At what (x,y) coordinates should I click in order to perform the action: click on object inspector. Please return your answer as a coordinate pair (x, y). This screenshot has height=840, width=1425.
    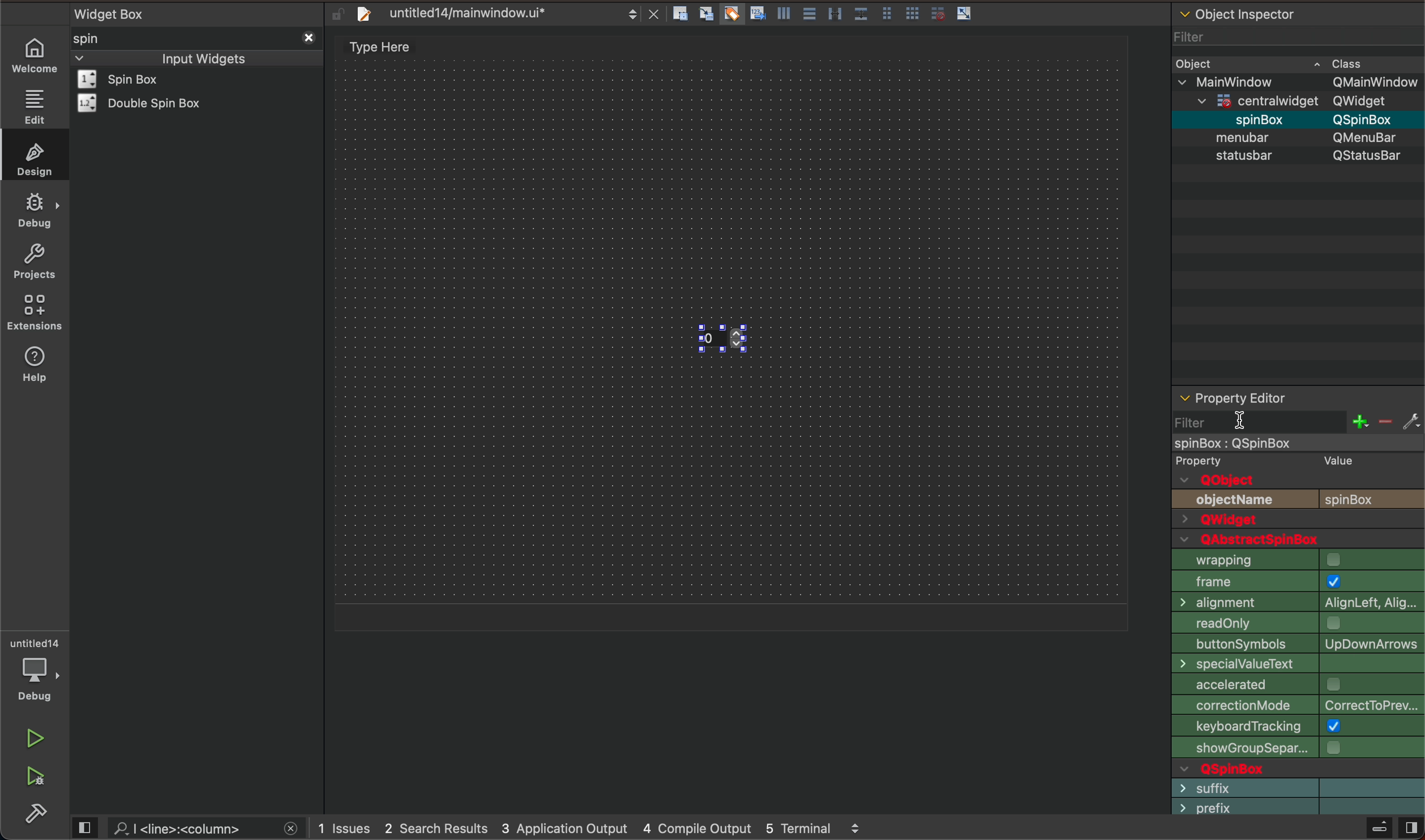
    Looking at the image, I should click on (1298, 12).